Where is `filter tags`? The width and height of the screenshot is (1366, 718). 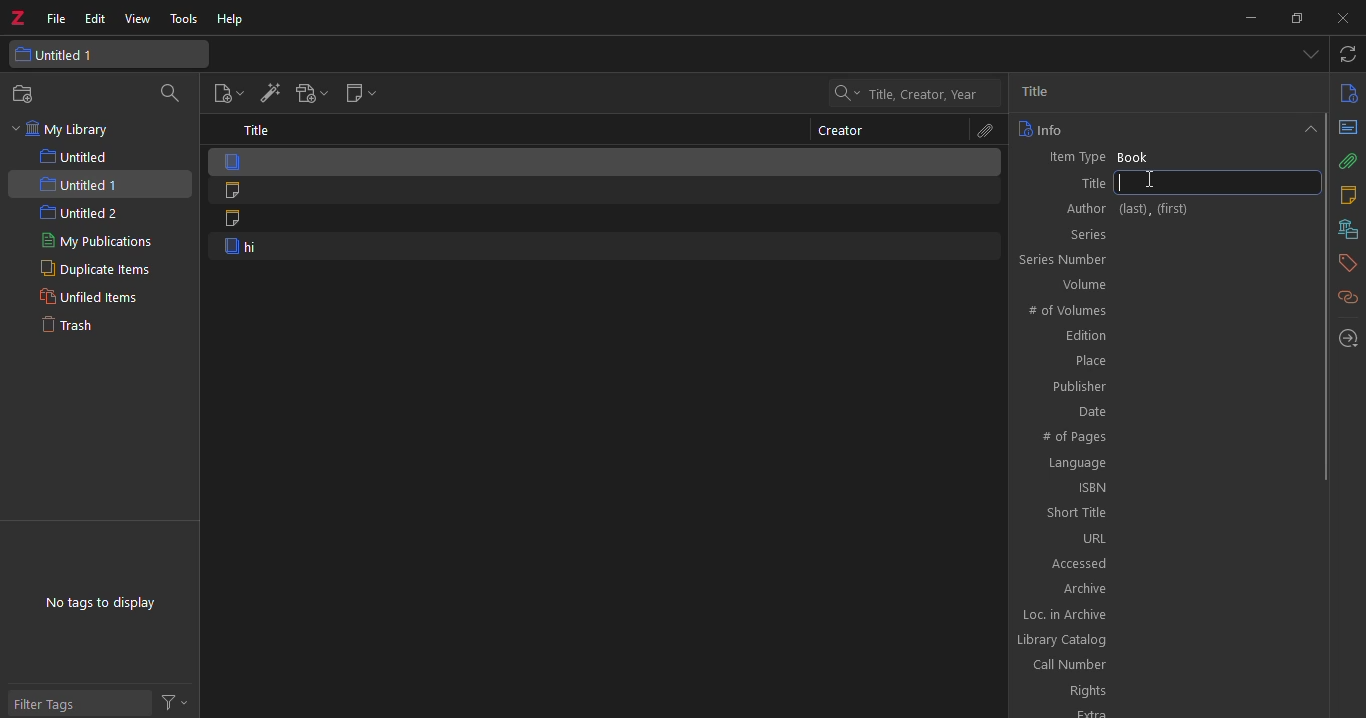
filter tags is located at coordinates (79, 701).